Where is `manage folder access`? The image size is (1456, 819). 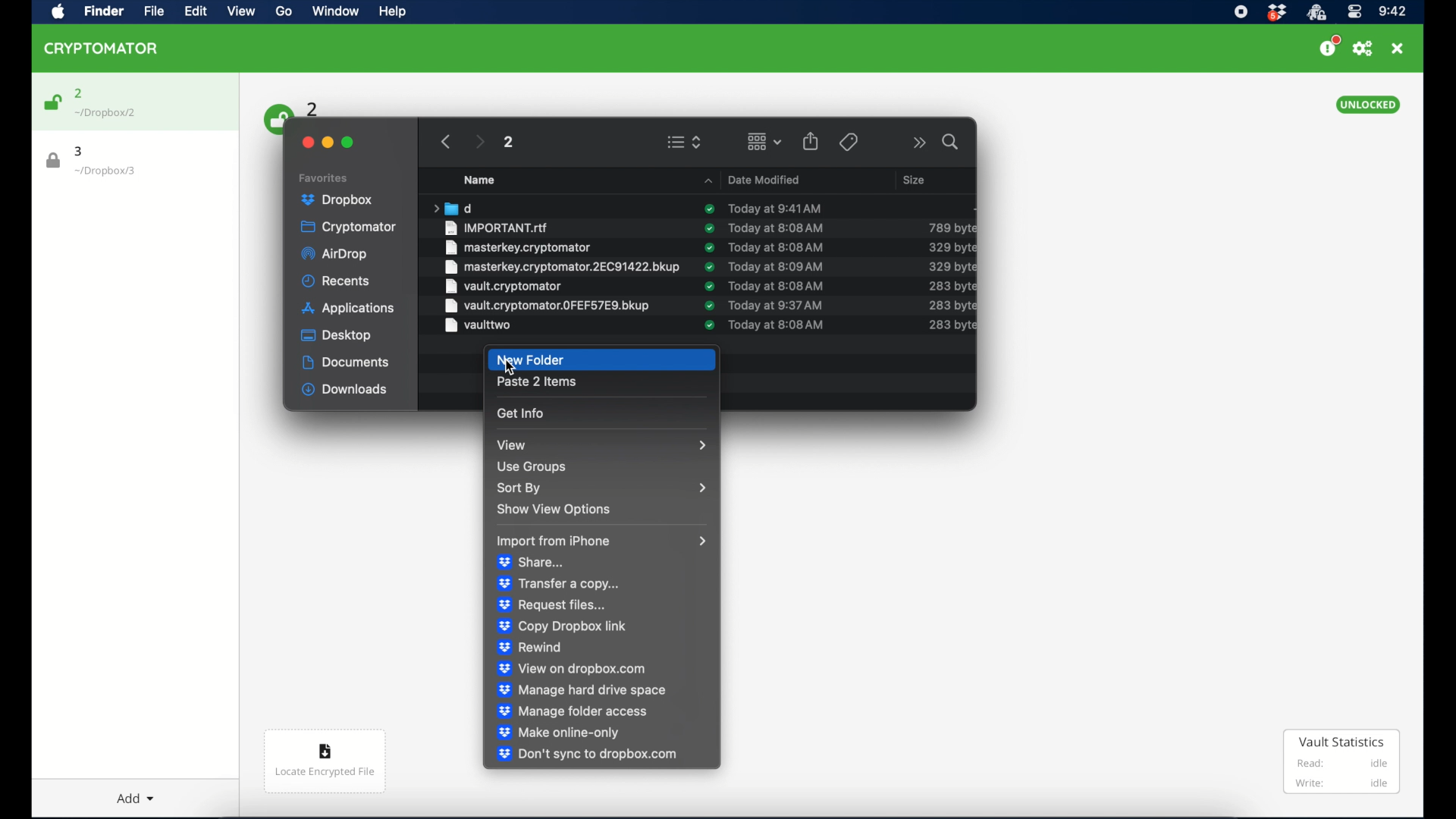
manage folder access is located at coordinates (573, 711).